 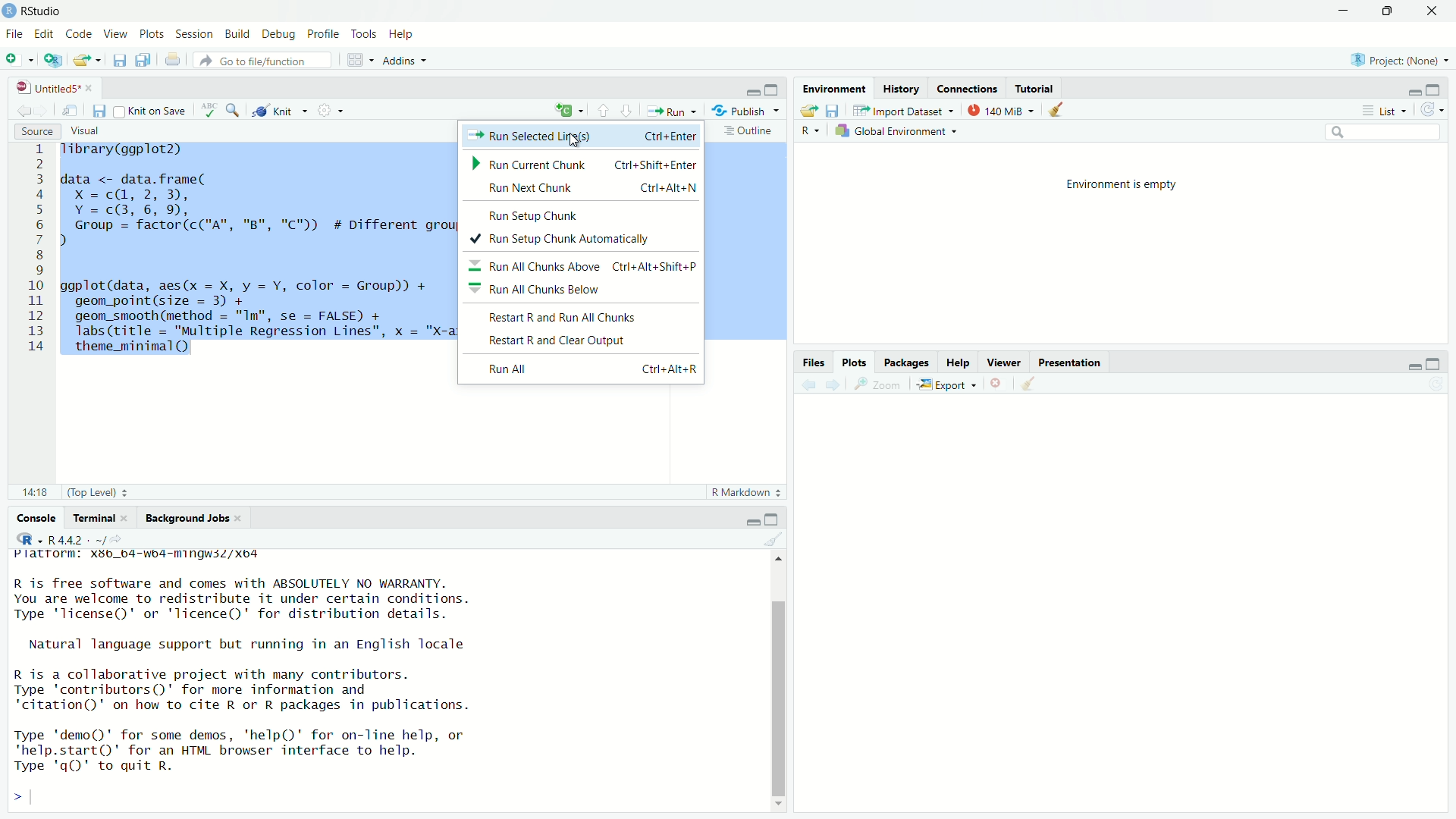 I want to click on Viewer, so click(x=1003, y=362).